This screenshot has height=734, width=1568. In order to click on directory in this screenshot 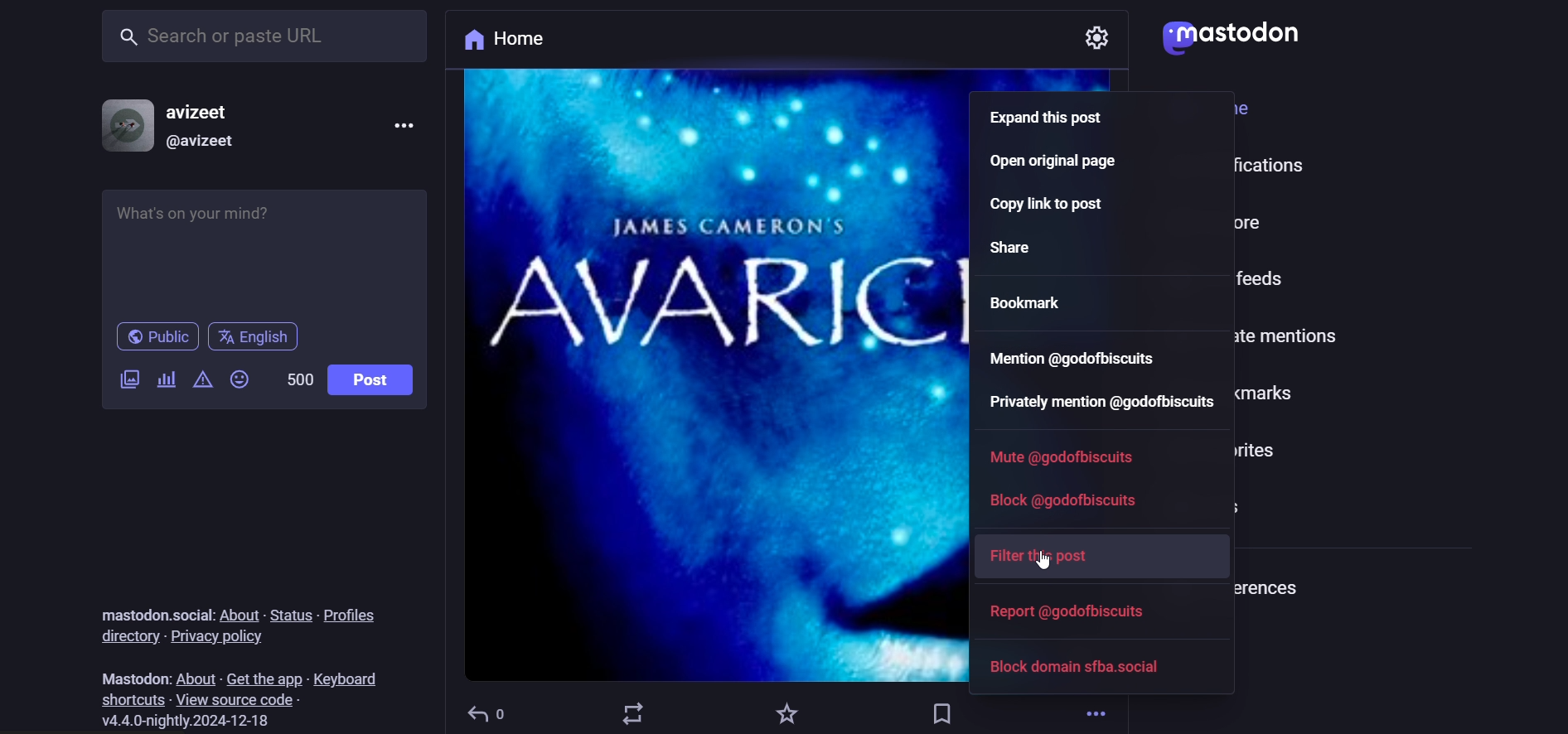, I will do `click(123, 636)`.